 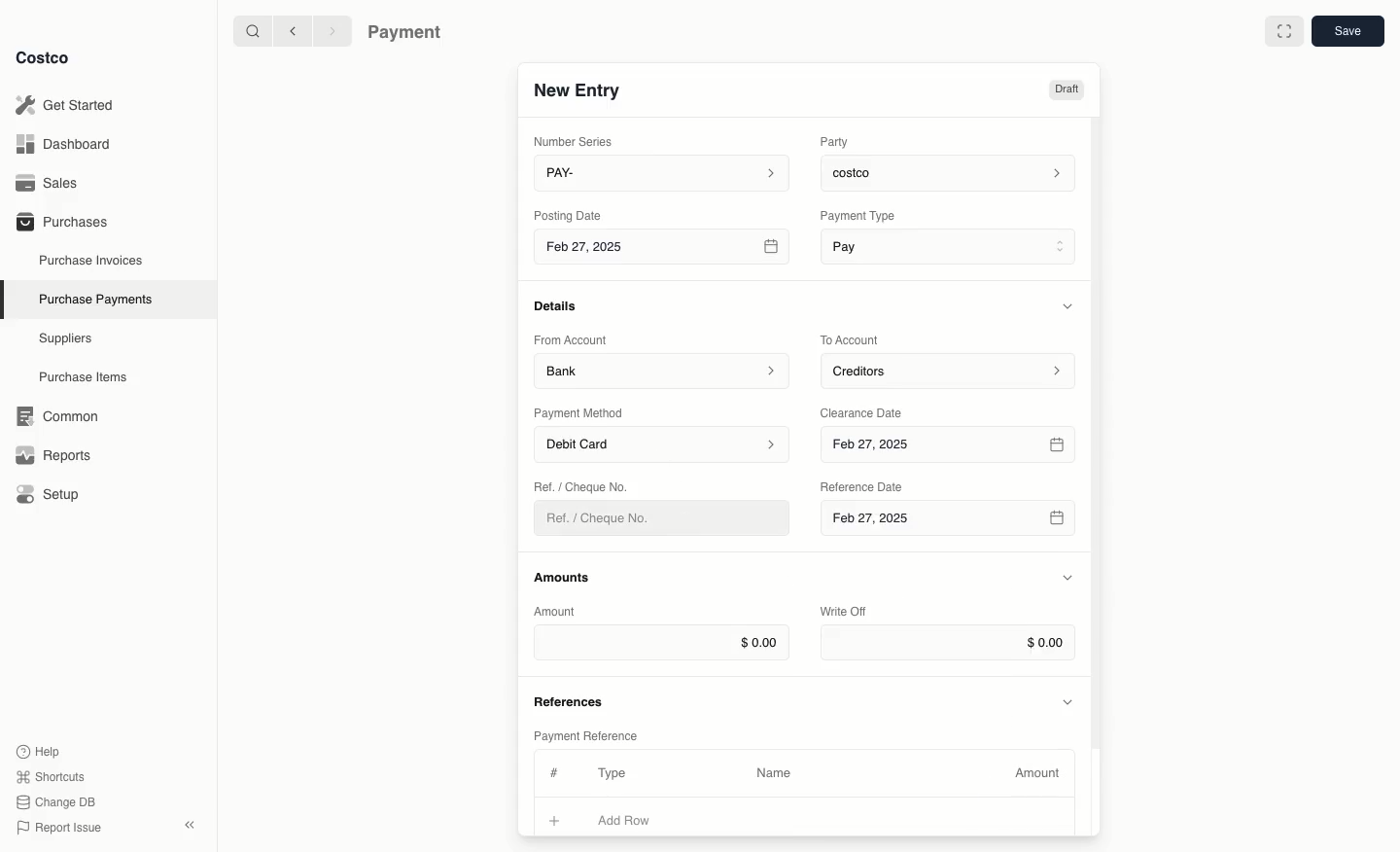 What do you see at coordinates (857, 215) in the screenshot?
I see `‘Payment Type` at bounding box center [857, 215].